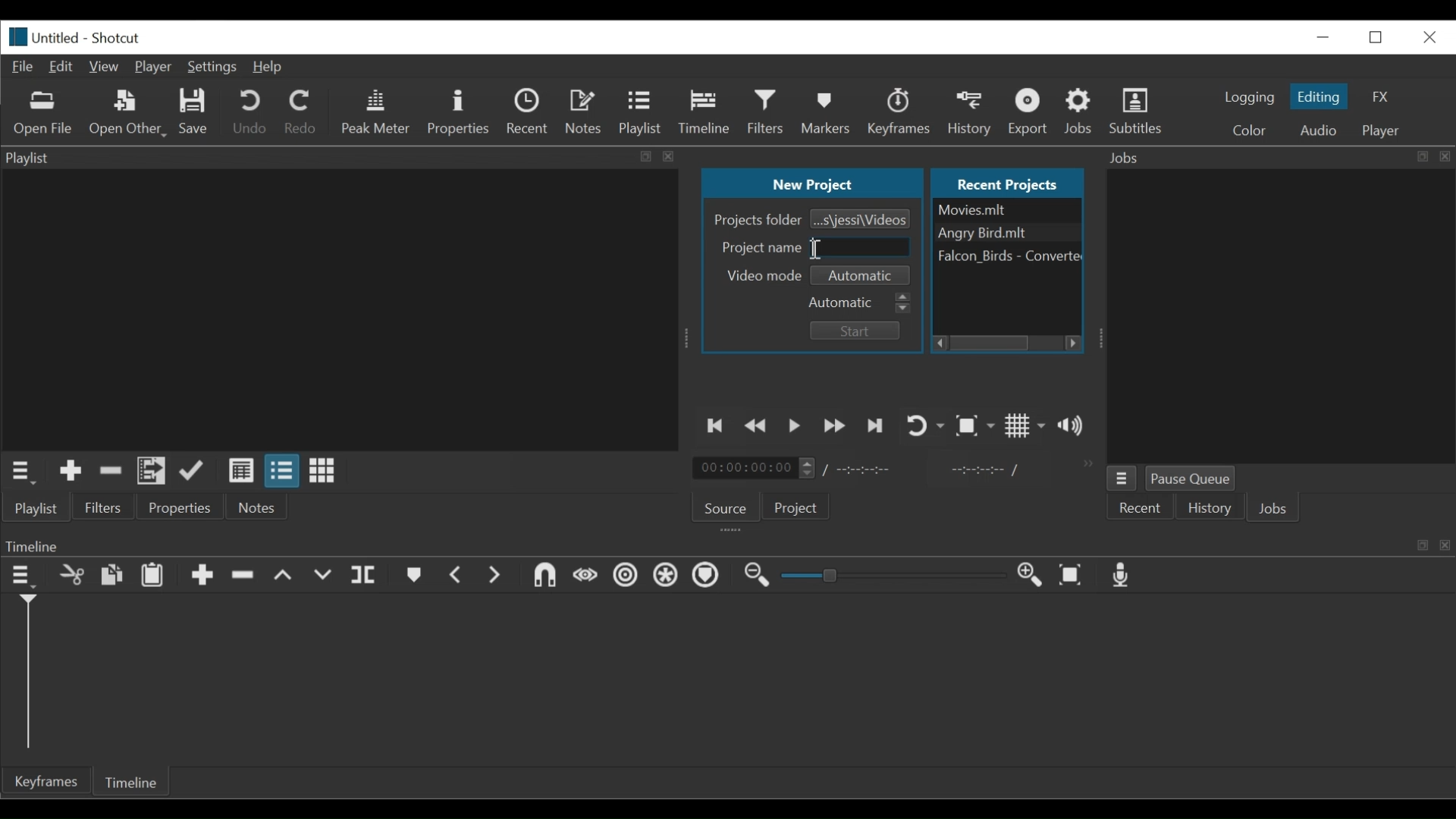 The width and height of the screenshot is (1456, 819). I want to click on Source, so click(726, 508).